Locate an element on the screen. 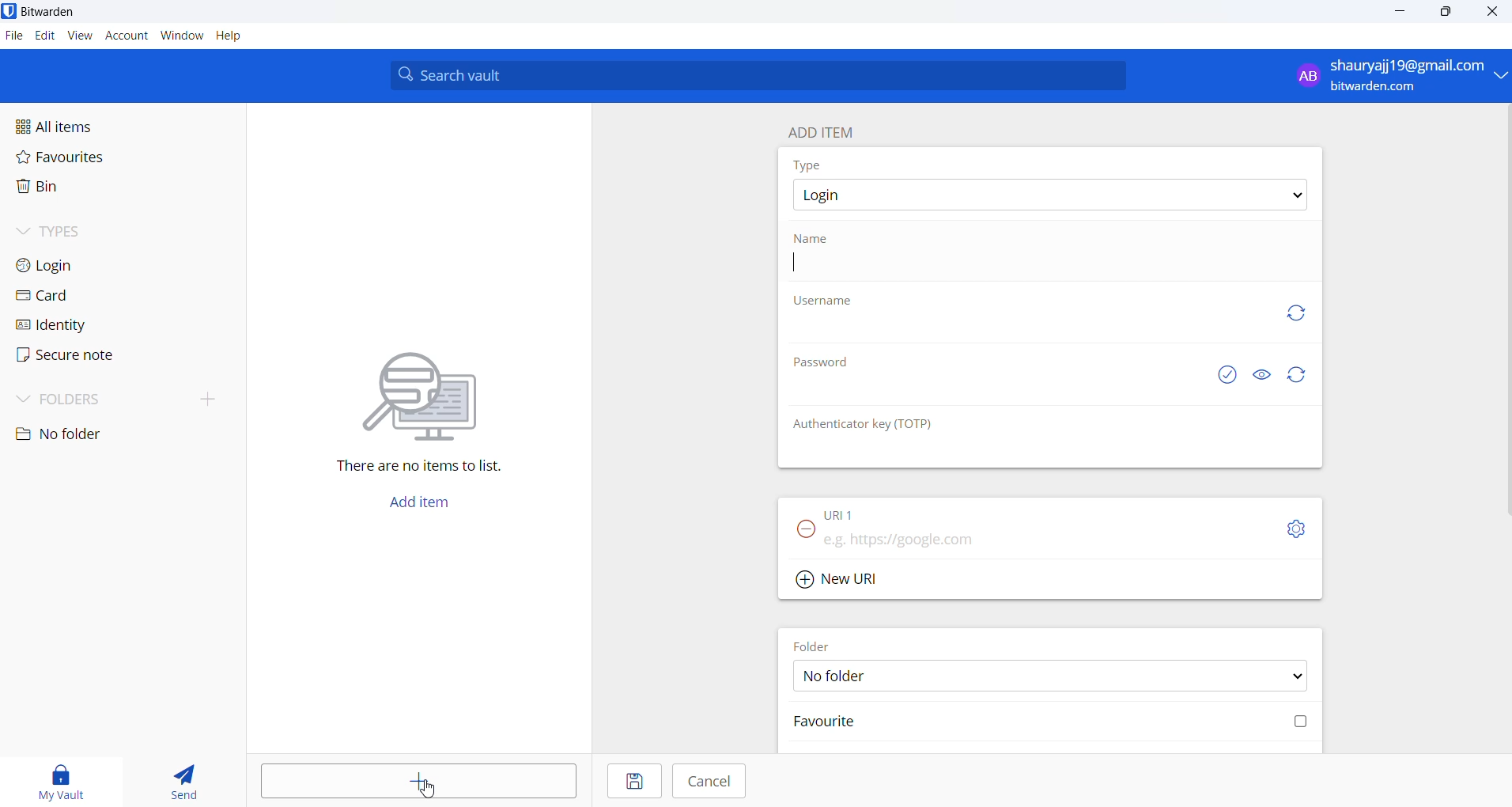  folders is located at coordinates (95, 401).